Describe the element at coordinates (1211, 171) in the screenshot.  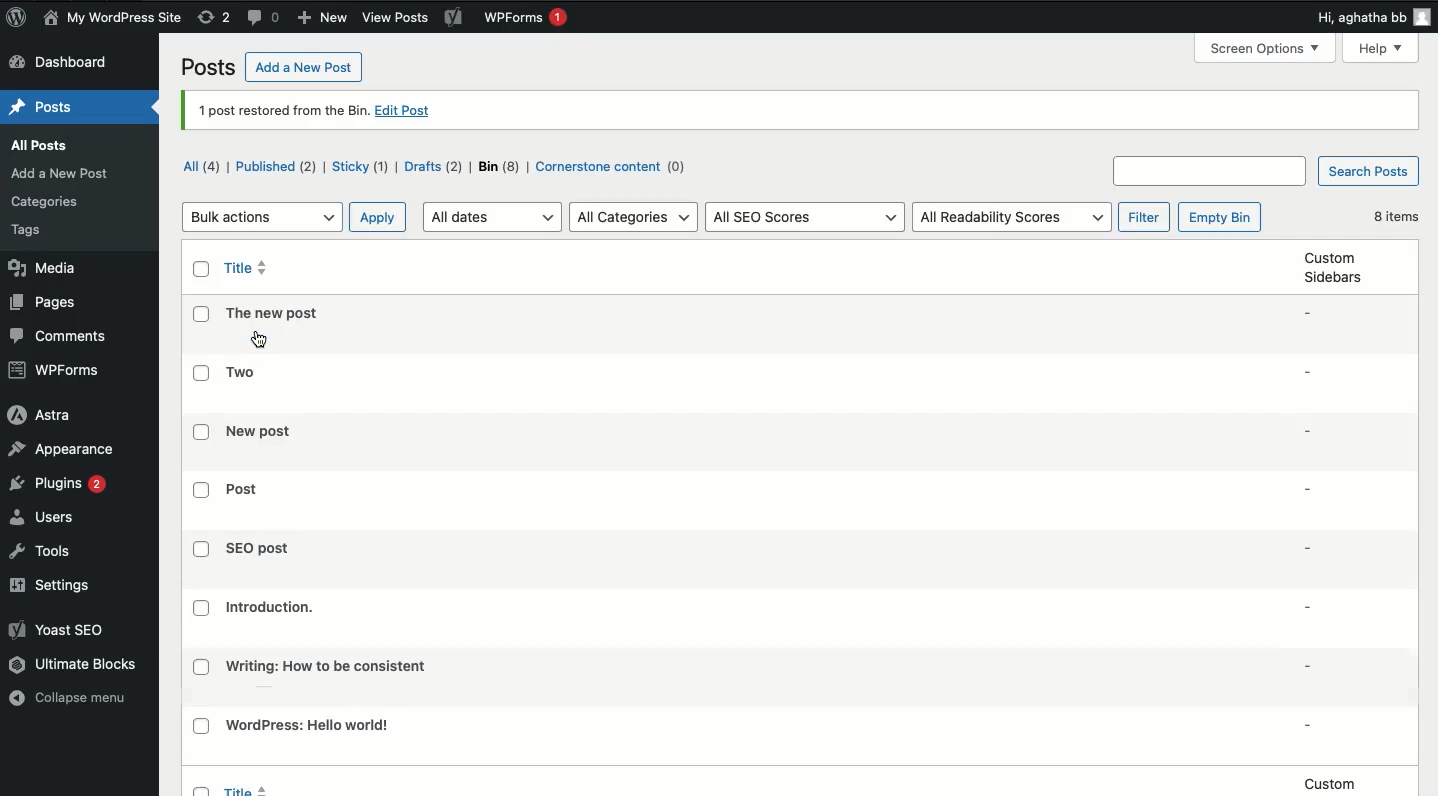
I see `Search` at that location.